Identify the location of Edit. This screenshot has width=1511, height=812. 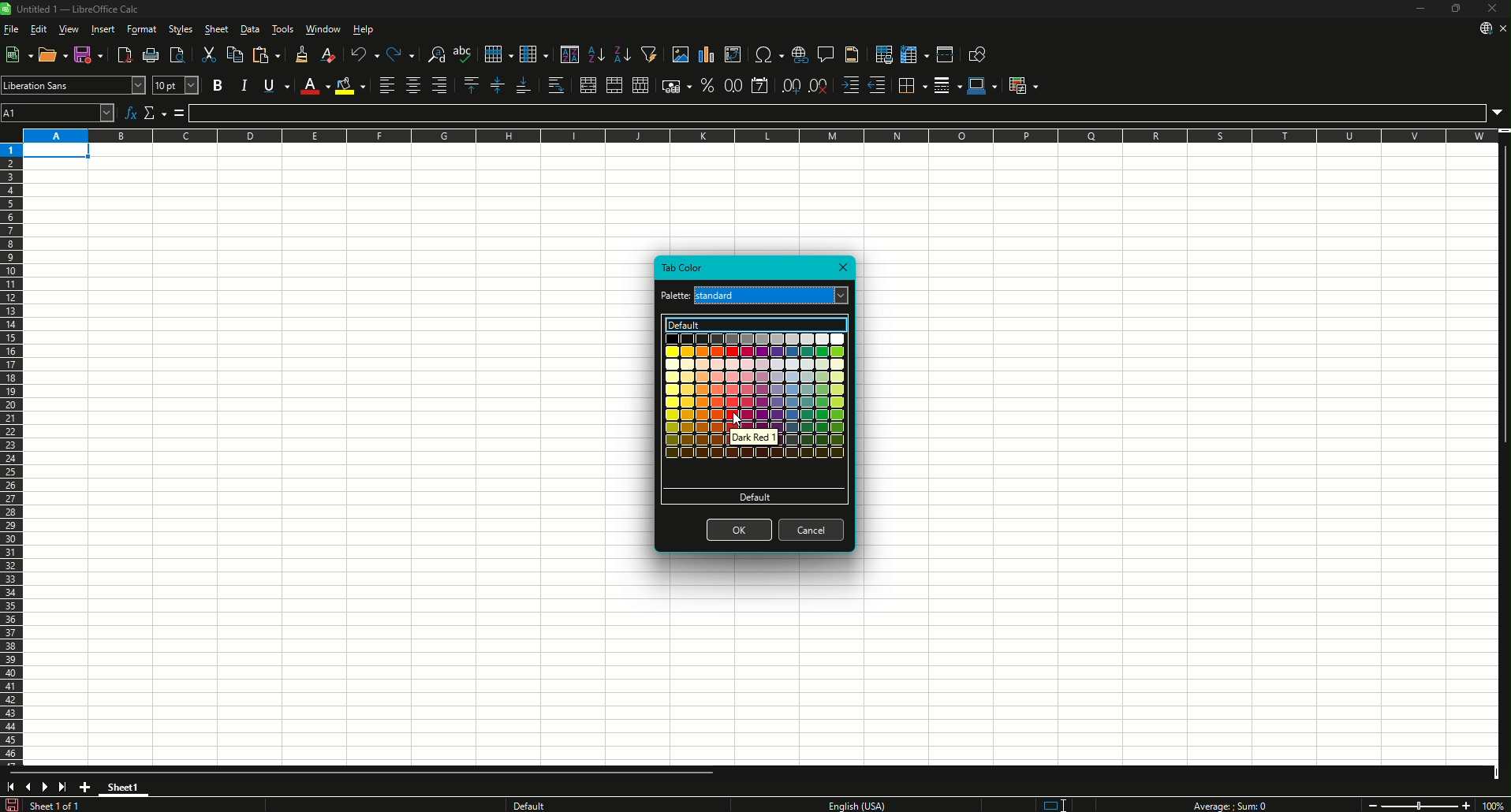
(38, 28).